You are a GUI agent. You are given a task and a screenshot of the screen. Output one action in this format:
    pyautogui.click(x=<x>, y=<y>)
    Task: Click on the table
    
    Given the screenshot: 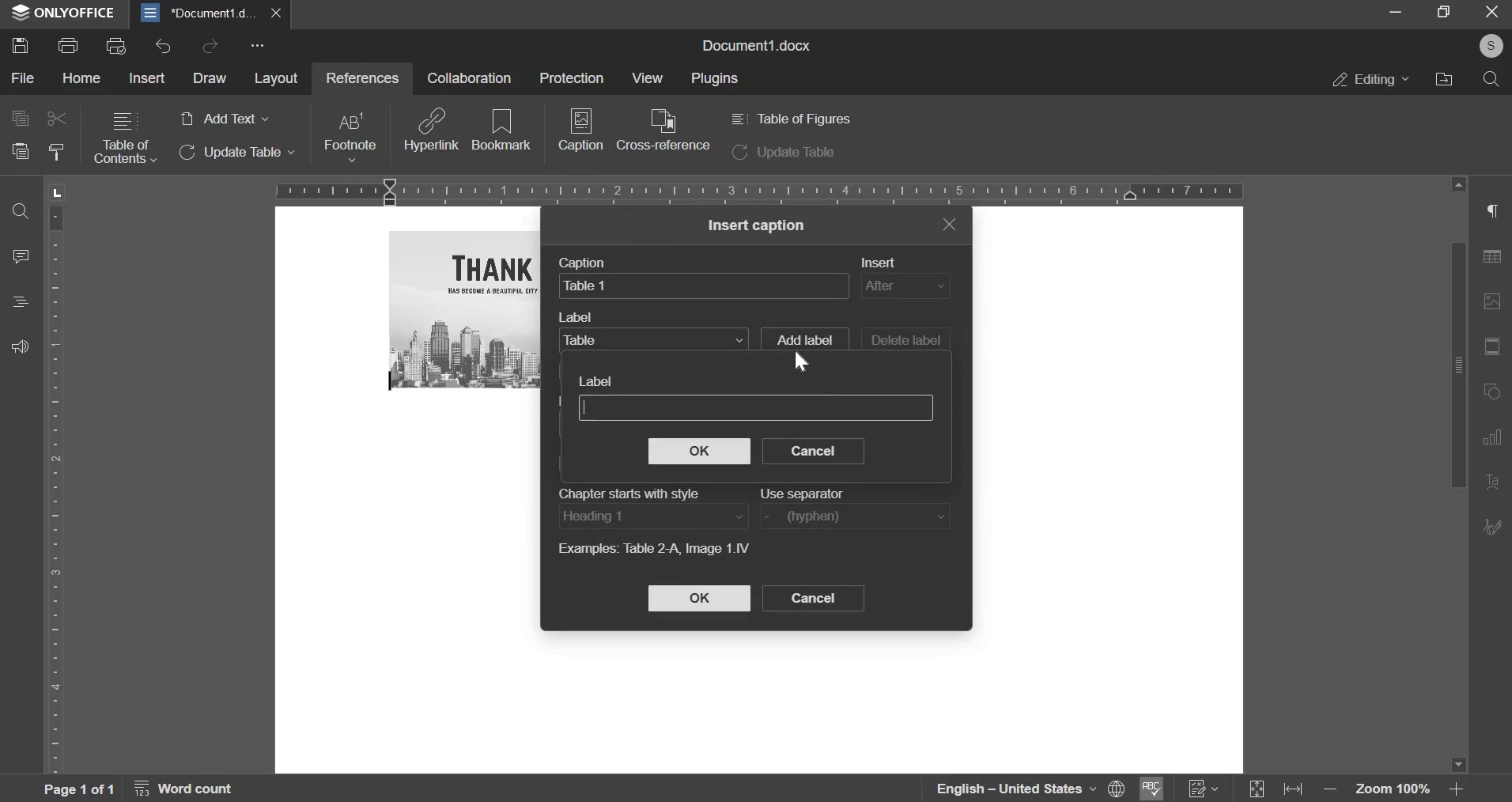 What is the action you would take?
    pyautogui.click(x=1497, y=260)
    